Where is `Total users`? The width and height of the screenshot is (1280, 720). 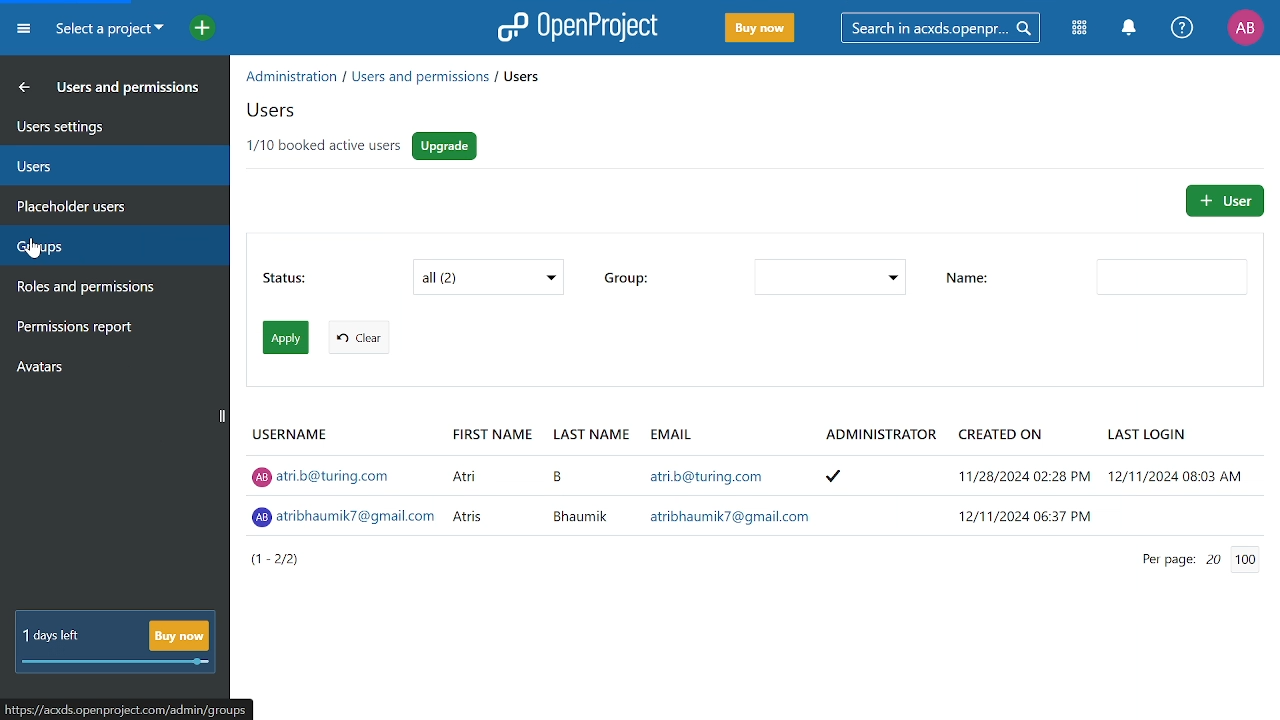 Total users is located at coordinates (293, 564).